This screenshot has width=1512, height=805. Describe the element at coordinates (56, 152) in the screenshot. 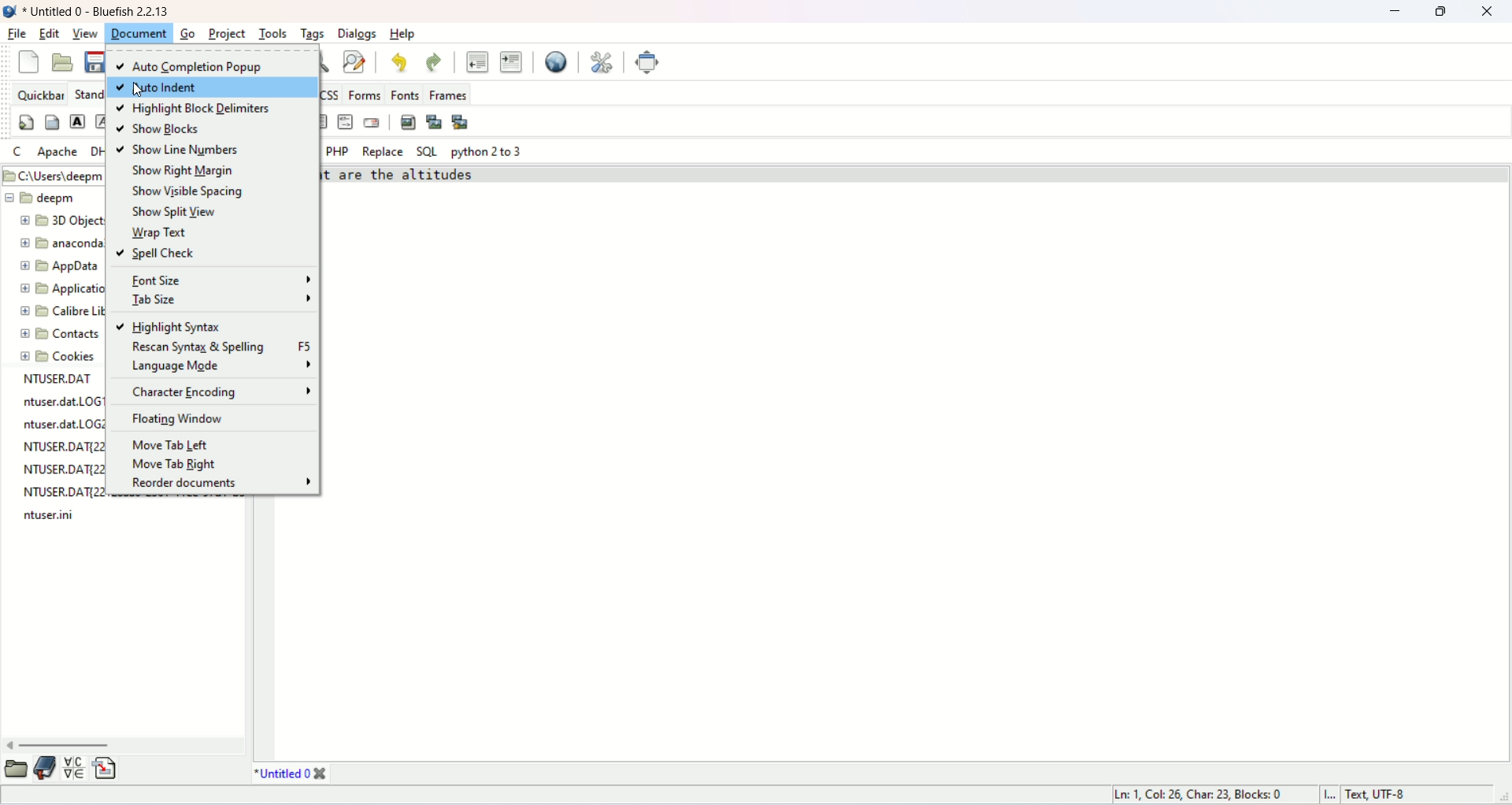

I see `Apache` at that location.